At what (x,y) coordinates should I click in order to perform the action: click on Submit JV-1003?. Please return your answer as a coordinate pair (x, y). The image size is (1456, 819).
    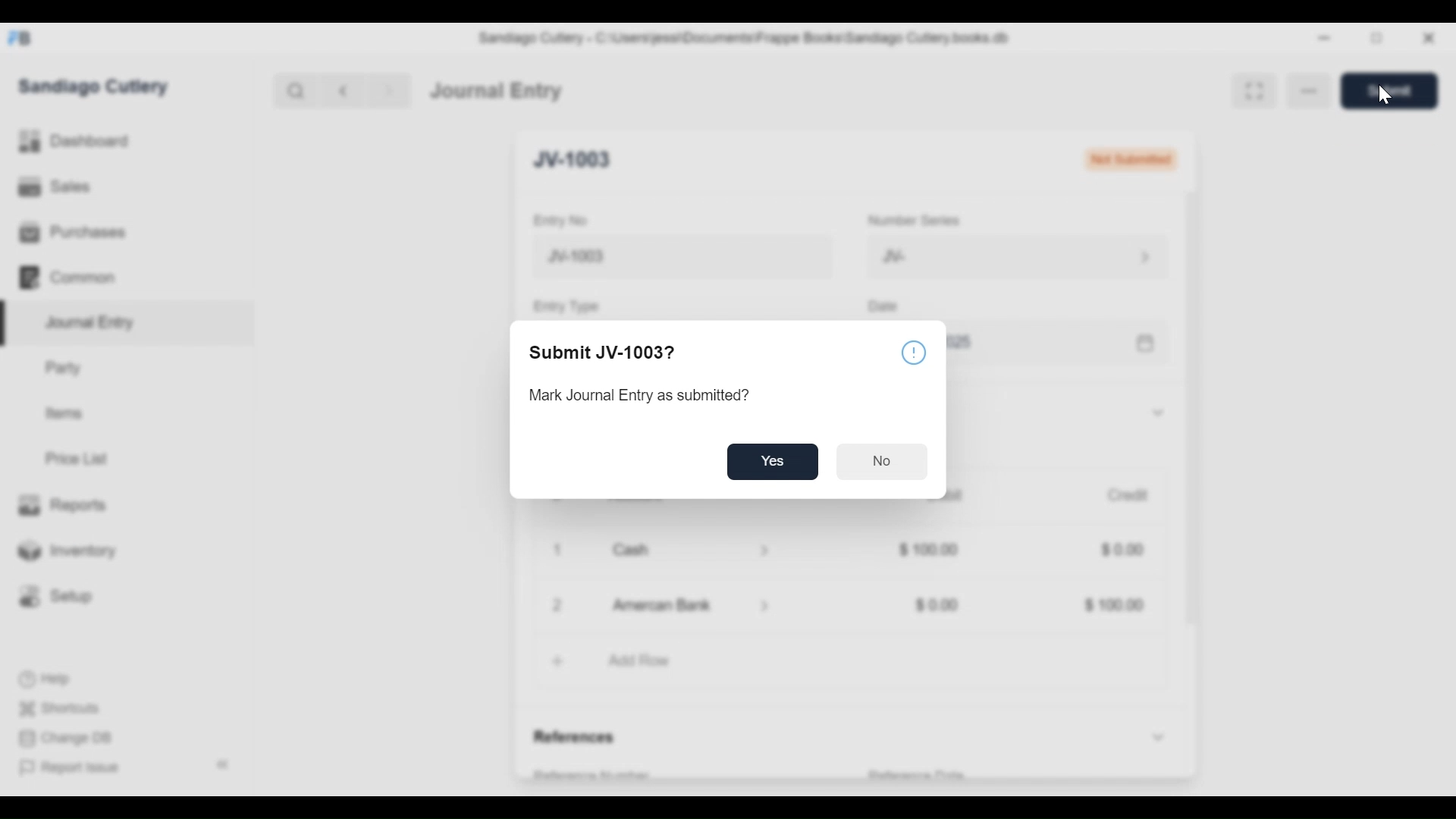
    Looking at the image, I should click on (607, 354).